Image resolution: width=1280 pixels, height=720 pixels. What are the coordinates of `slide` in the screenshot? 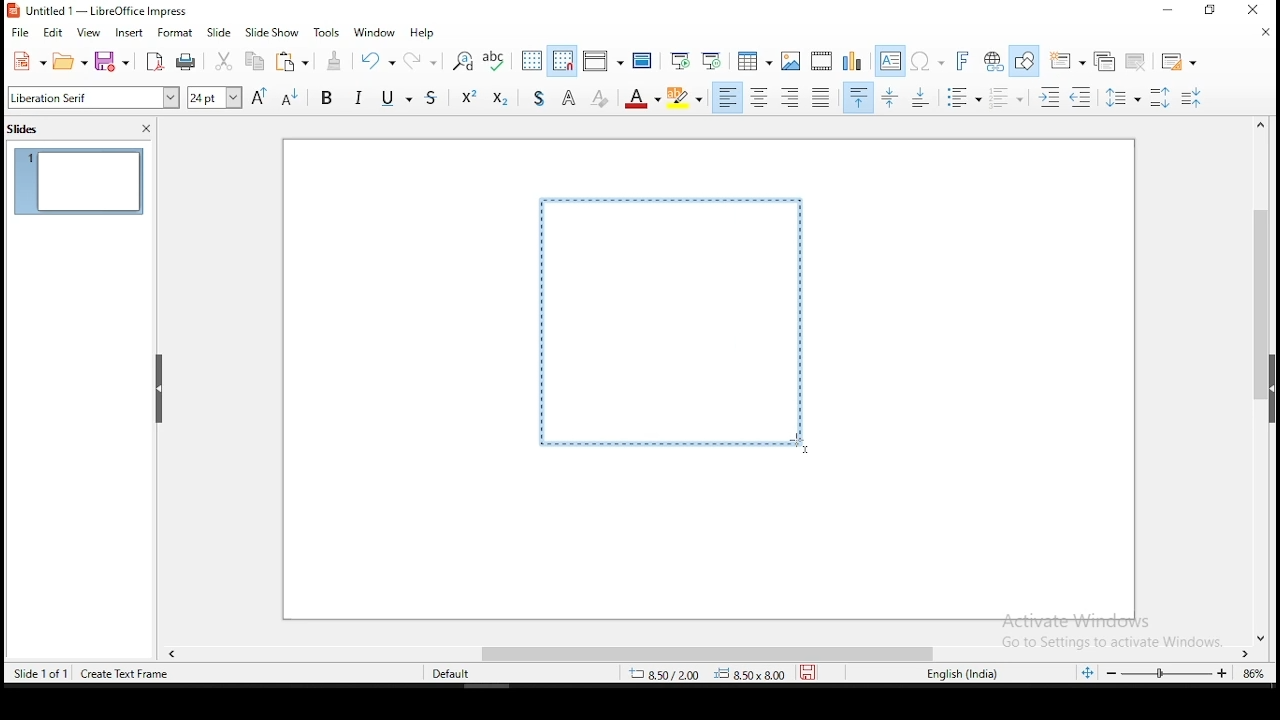 It's located at (79, 183).